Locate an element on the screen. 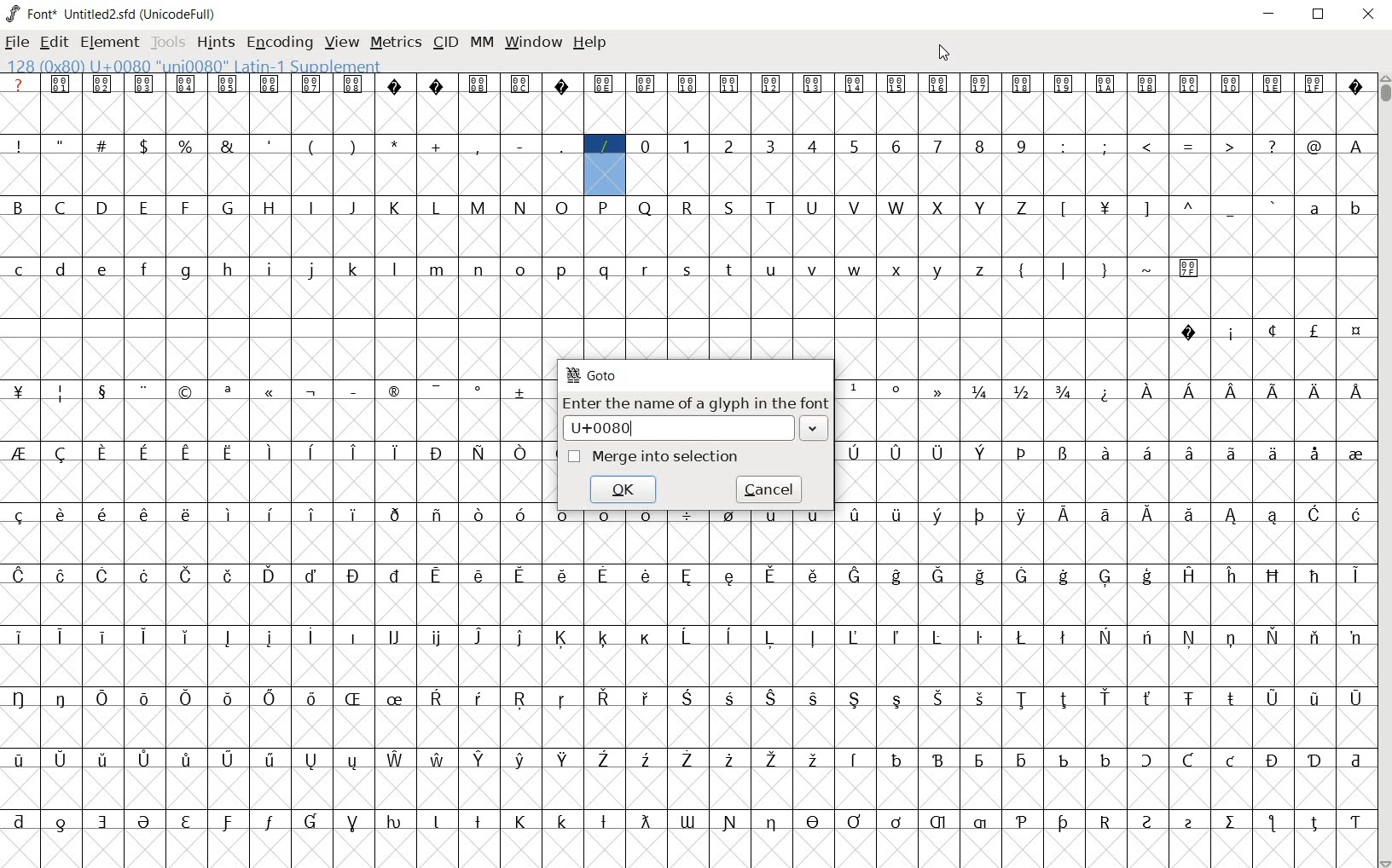  glyph is located at coordinates (1020, 272).